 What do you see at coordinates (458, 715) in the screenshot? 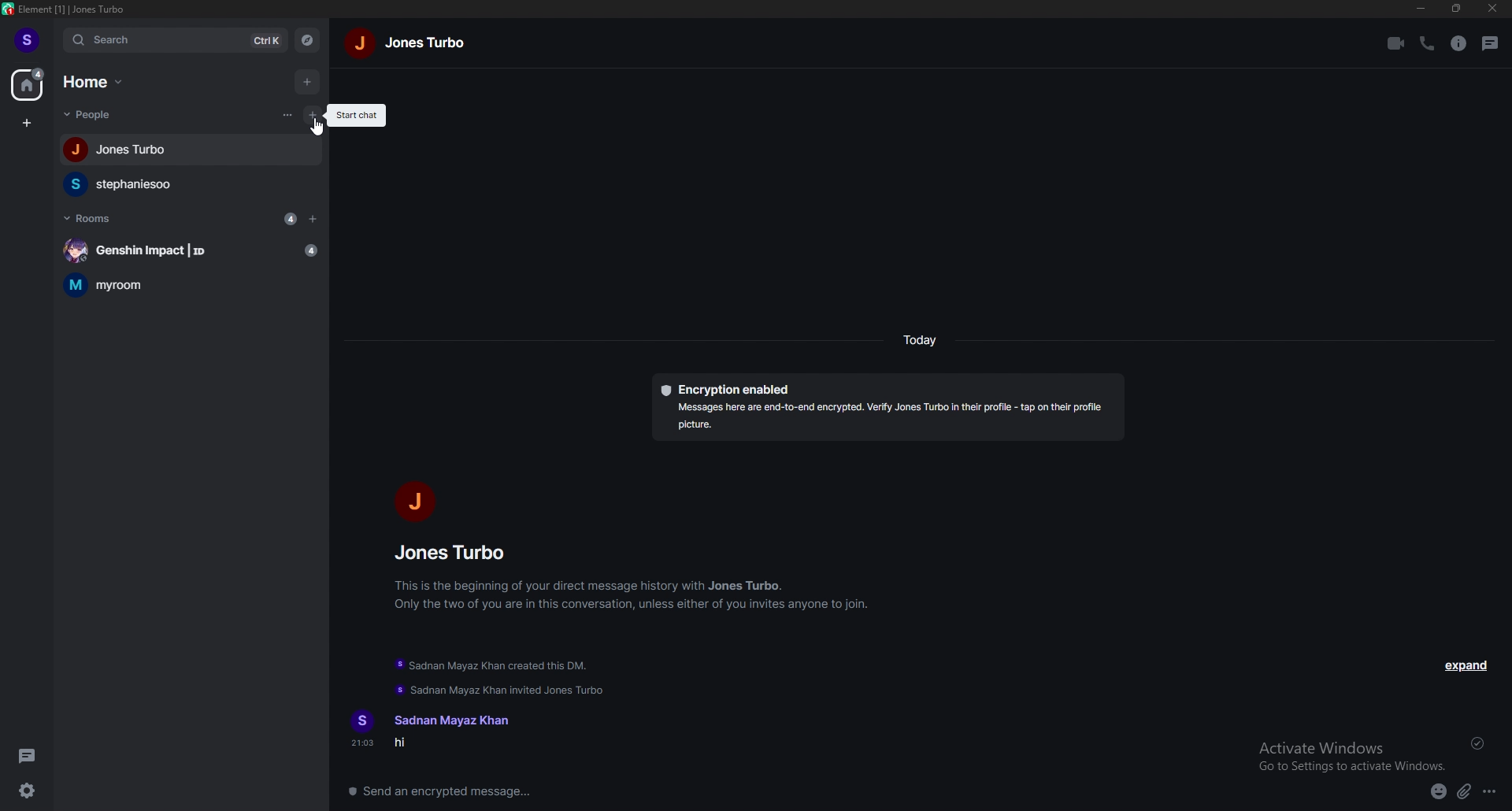
I see `Sadnan Mayaz Khan` at bounding box center [458, 715].